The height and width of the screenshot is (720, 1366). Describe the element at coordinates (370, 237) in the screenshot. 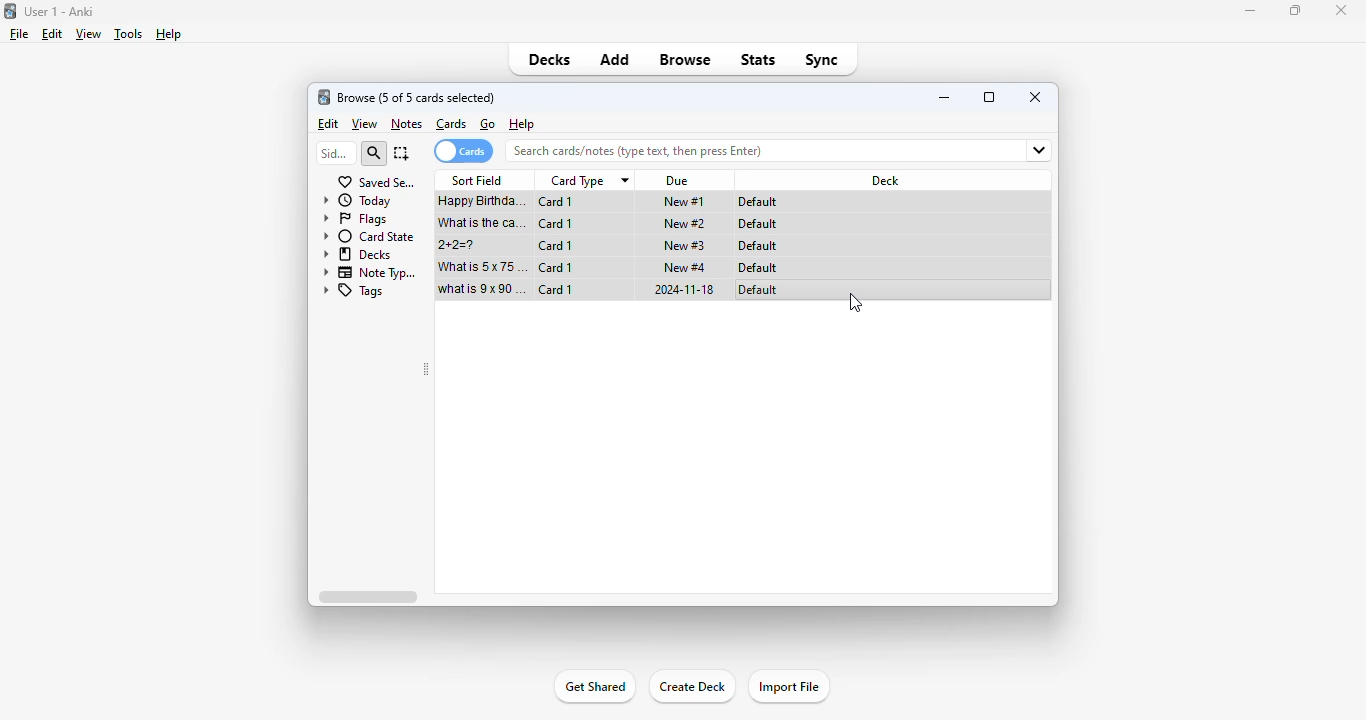

I see `card state` at that location.